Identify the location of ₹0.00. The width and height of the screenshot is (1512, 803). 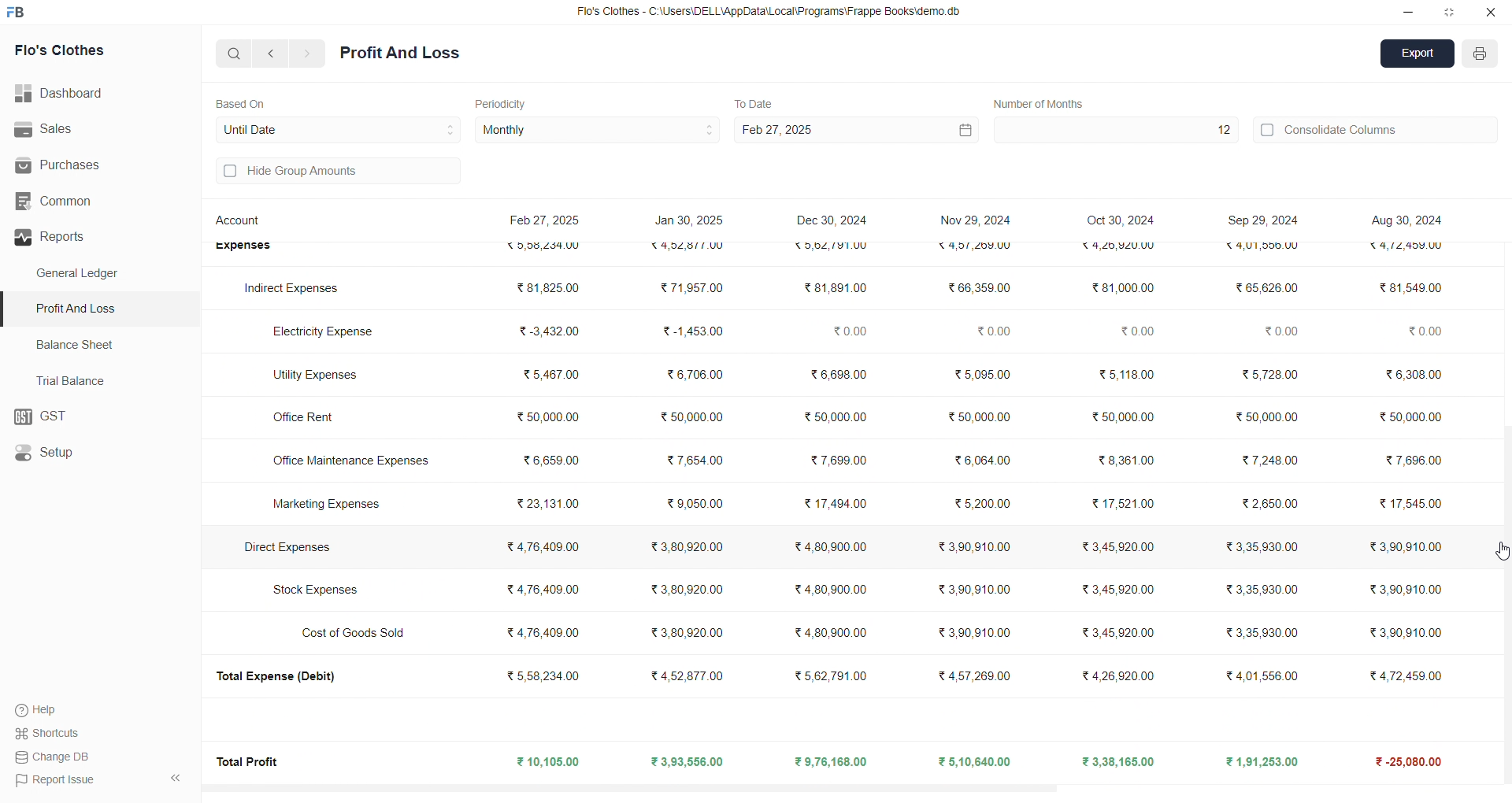
(1136, 331).